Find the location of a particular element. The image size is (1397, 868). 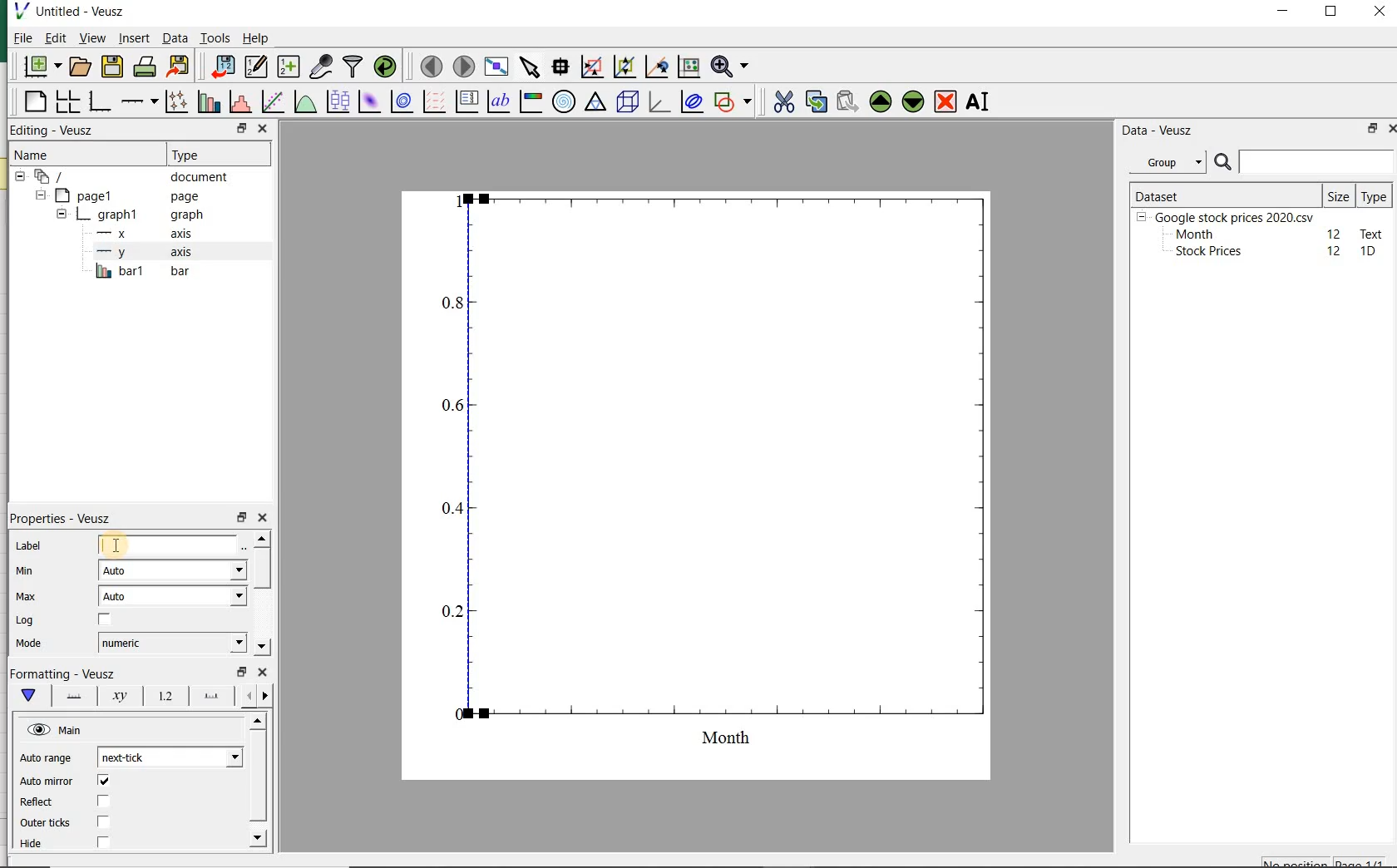

y-axis is located at coordinates (141, 253).